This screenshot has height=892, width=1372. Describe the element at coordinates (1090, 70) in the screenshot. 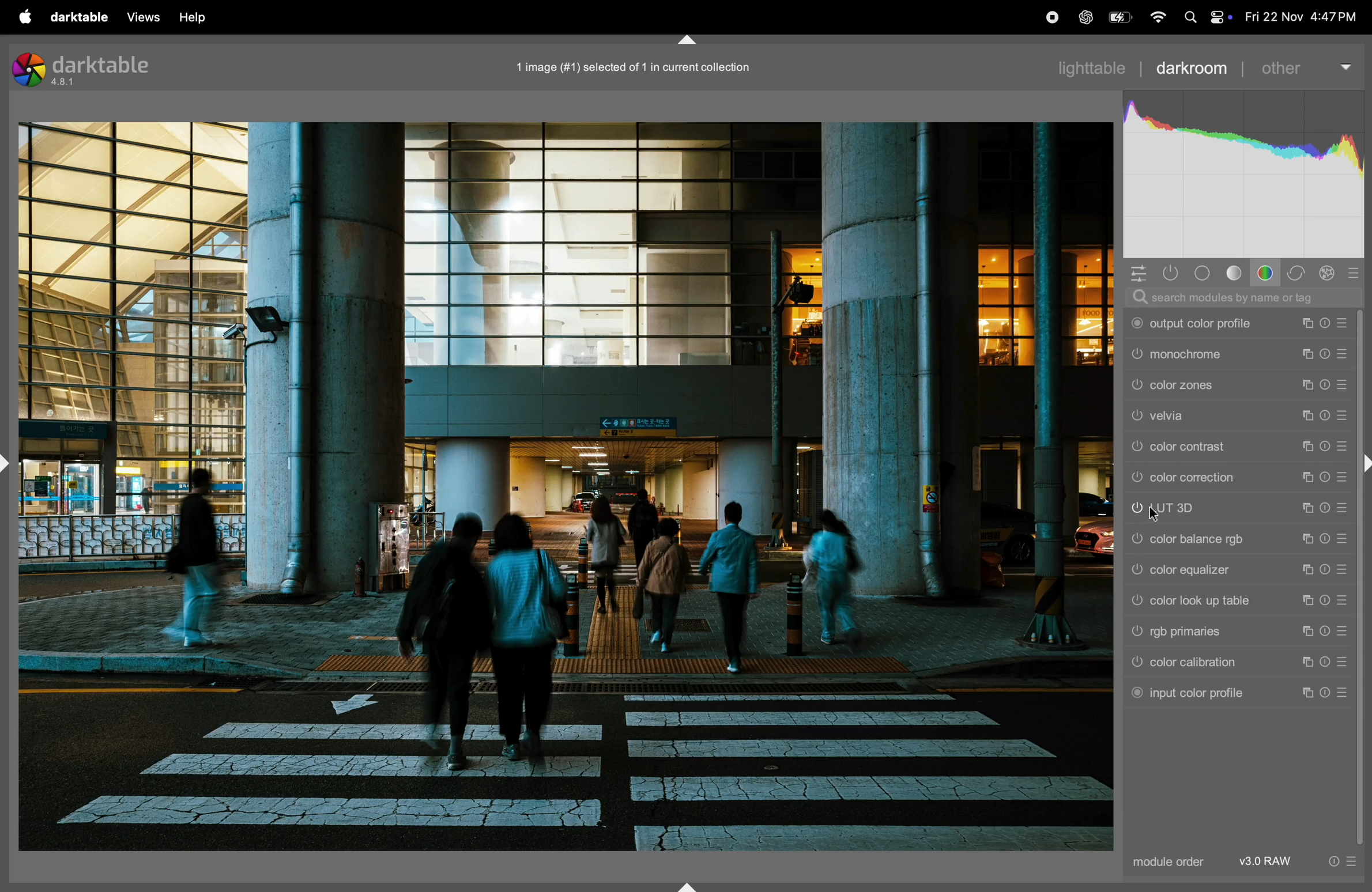

I see `lighttable` at that location.